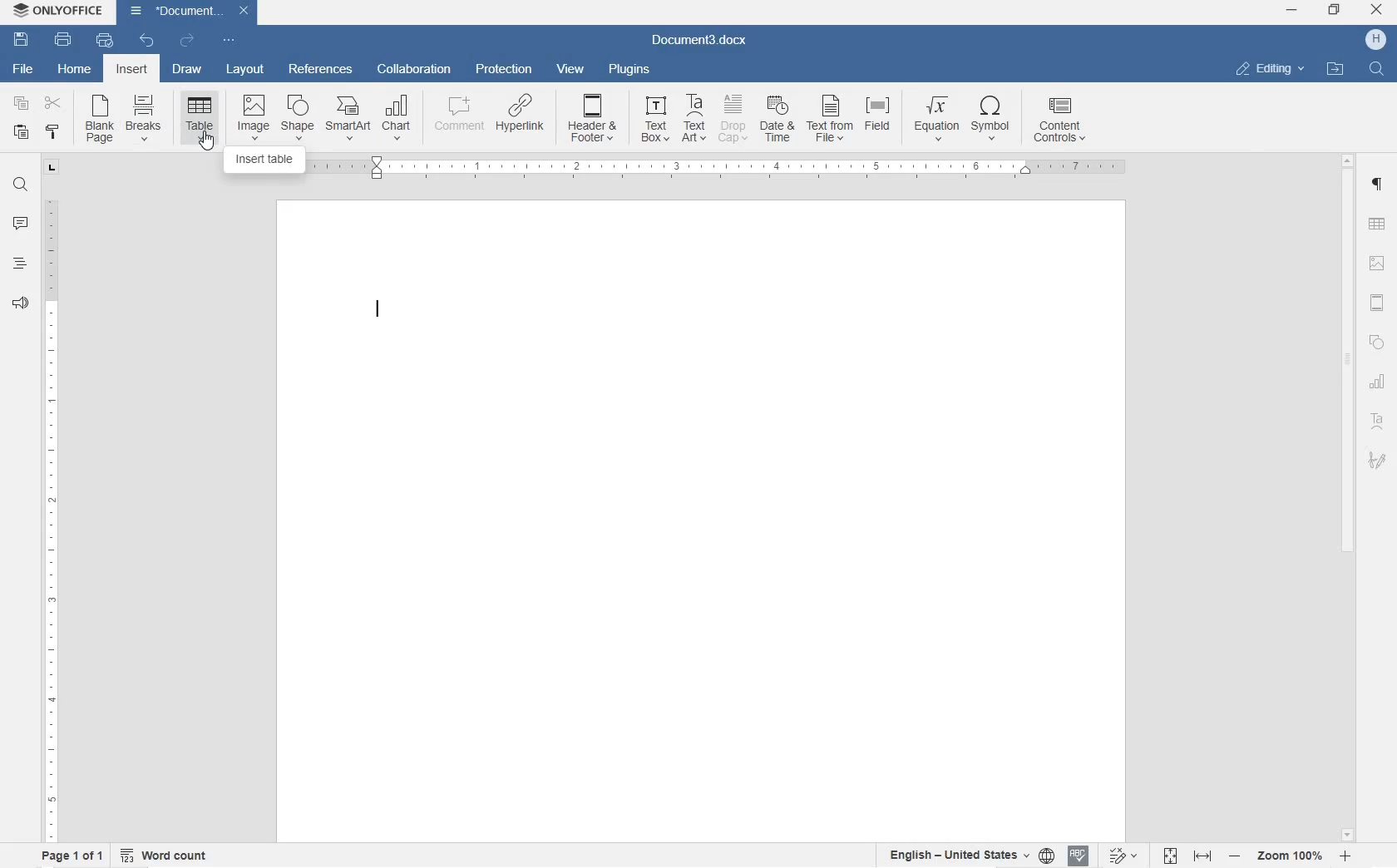 The width and height of the screenshot is (1397, 868). Describe the element at coordinates (134, 72) in the screenshot. I see `INSERT` at that location.